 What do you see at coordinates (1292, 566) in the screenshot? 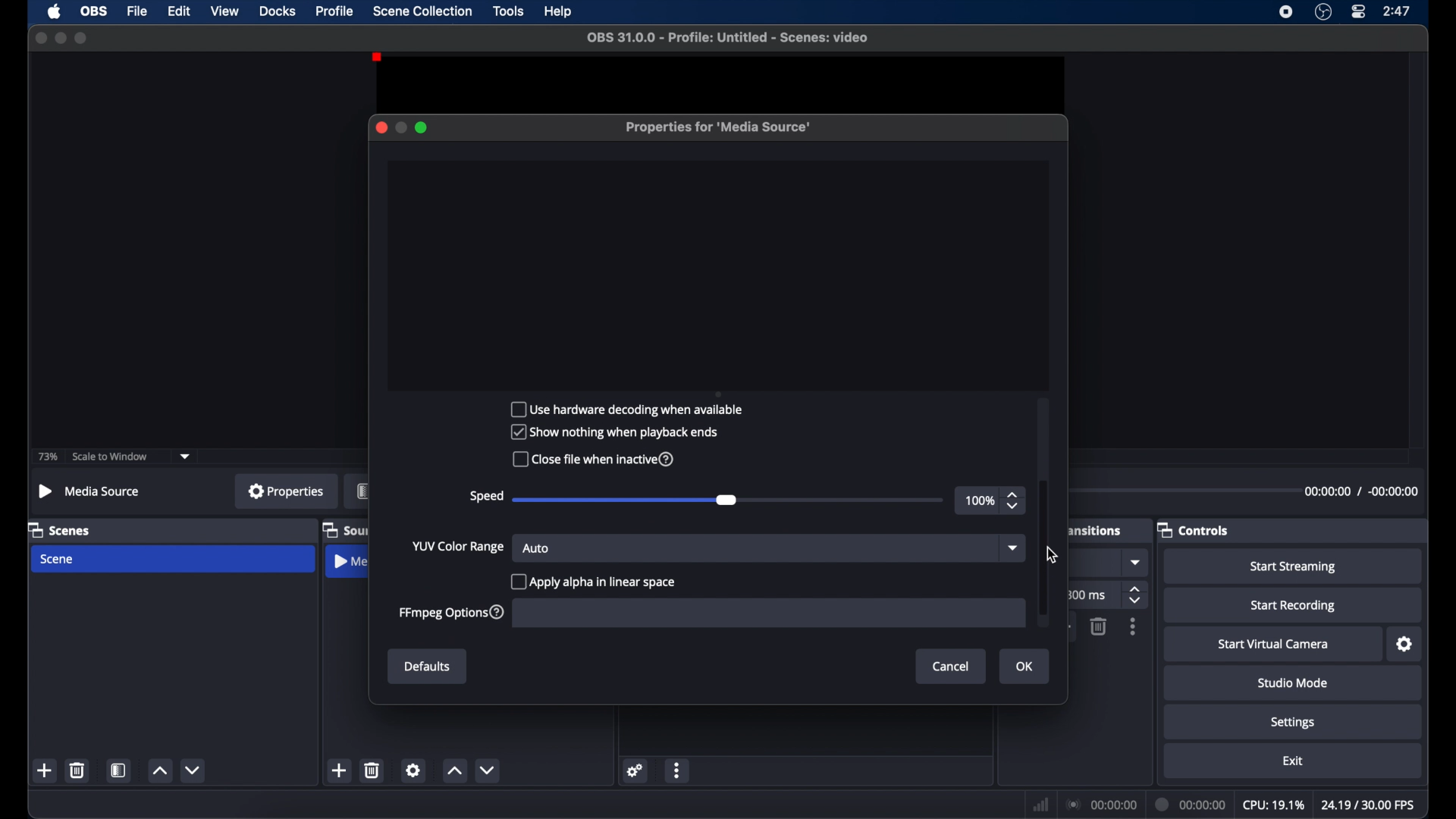
I see `start streaming` at bounding box center [1292, 566].